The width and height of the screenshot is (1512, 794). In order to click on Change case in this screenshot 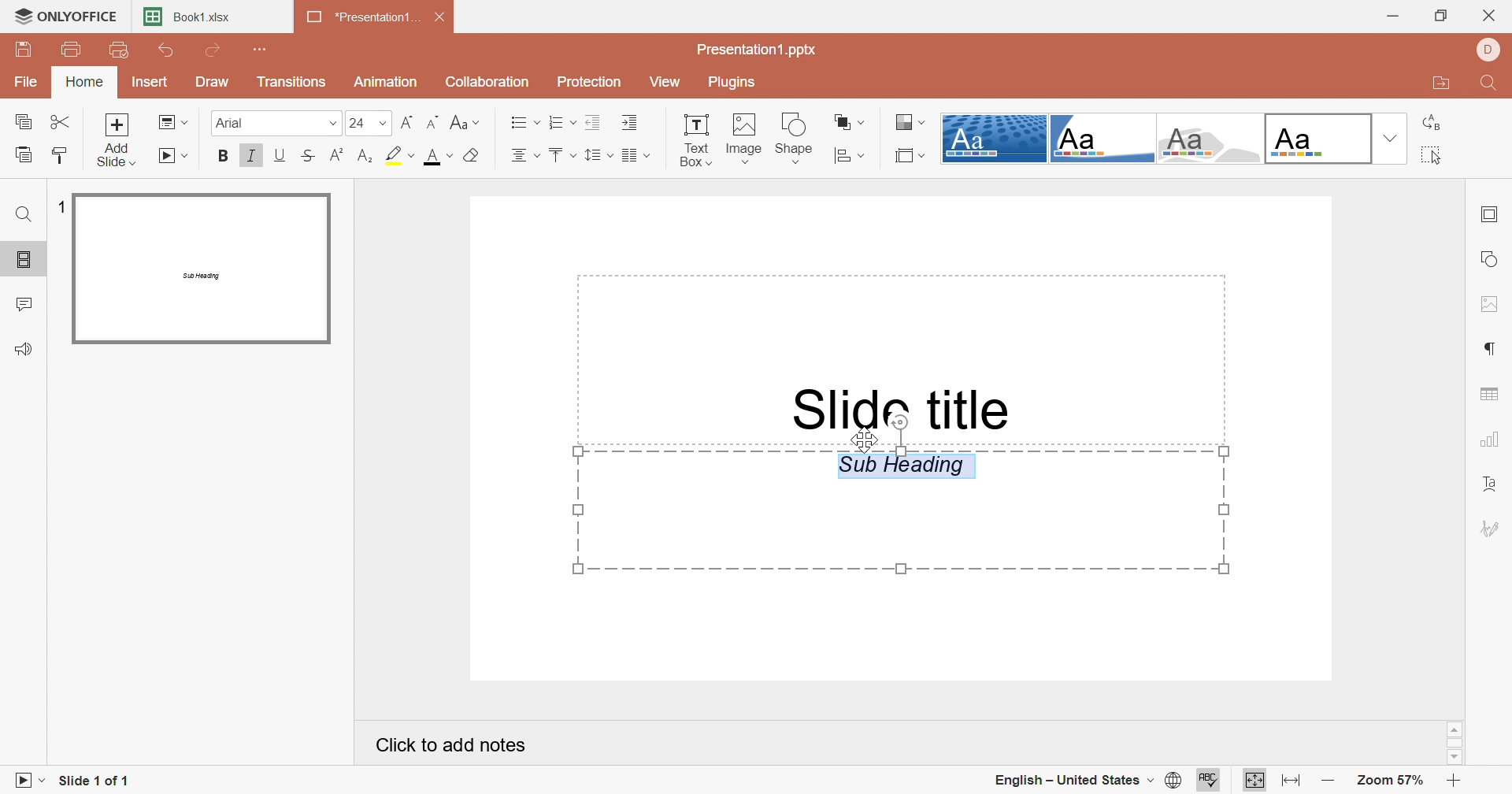, I will do `click(464, 121)`.